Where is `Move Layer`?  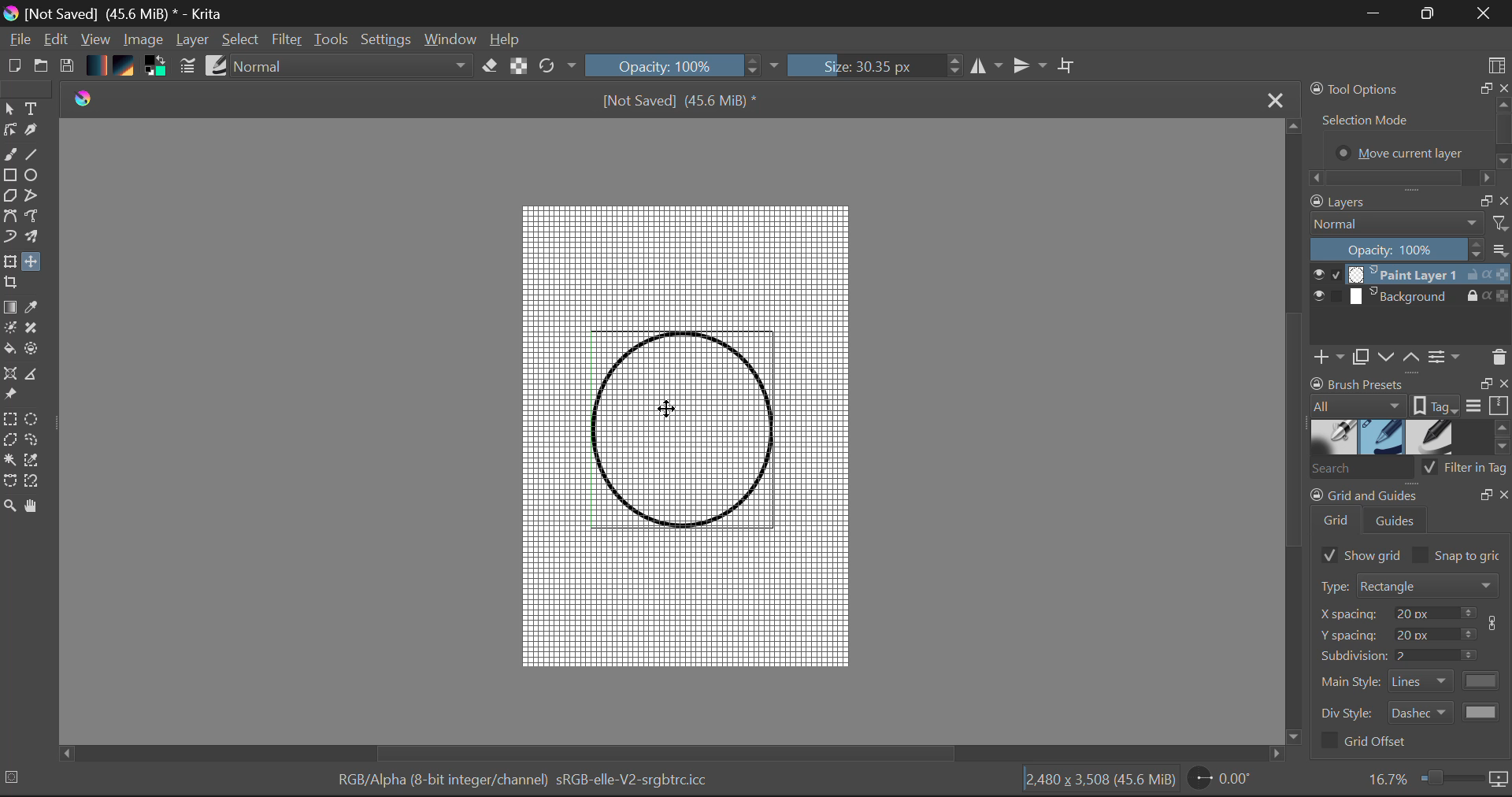
Move Layer is located at coordinates (34, 262).